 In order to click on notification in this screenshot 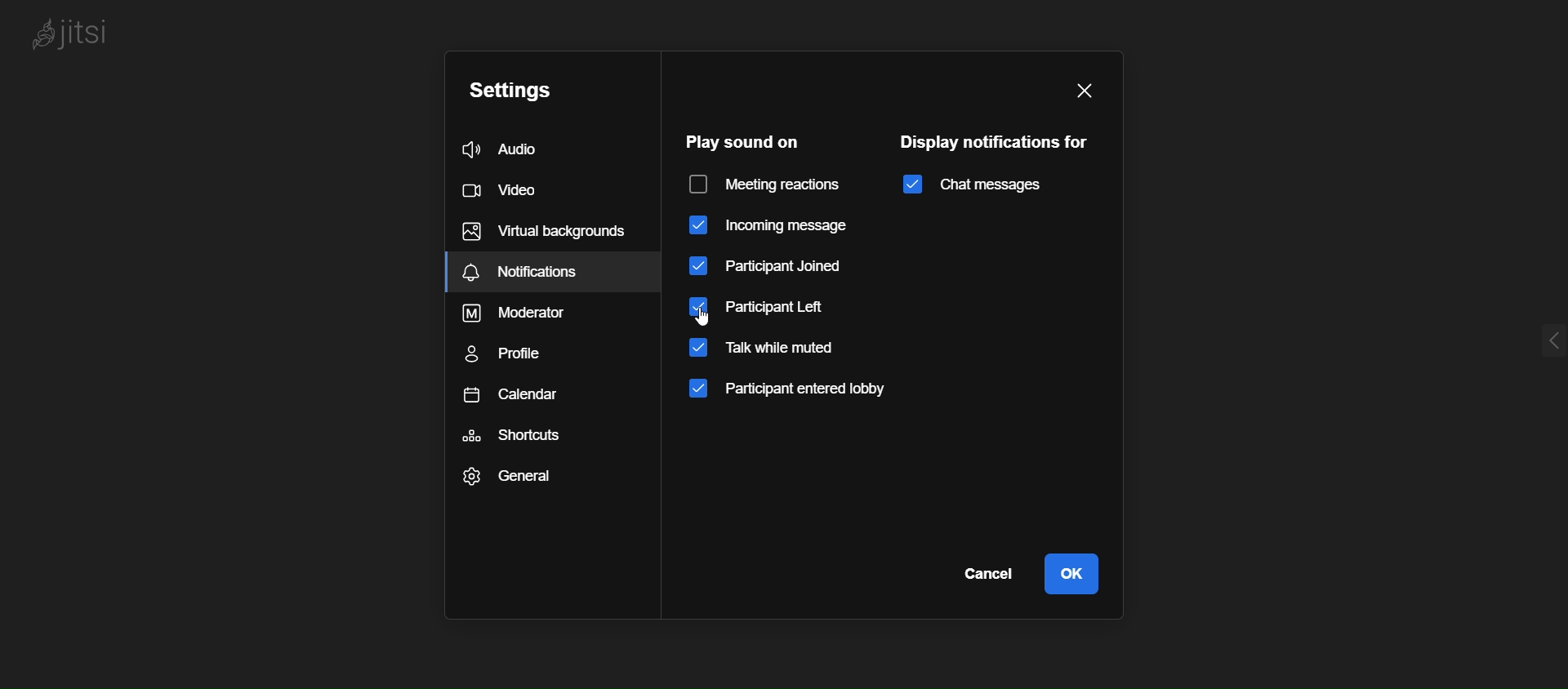, I will do `click(543, 273)`.